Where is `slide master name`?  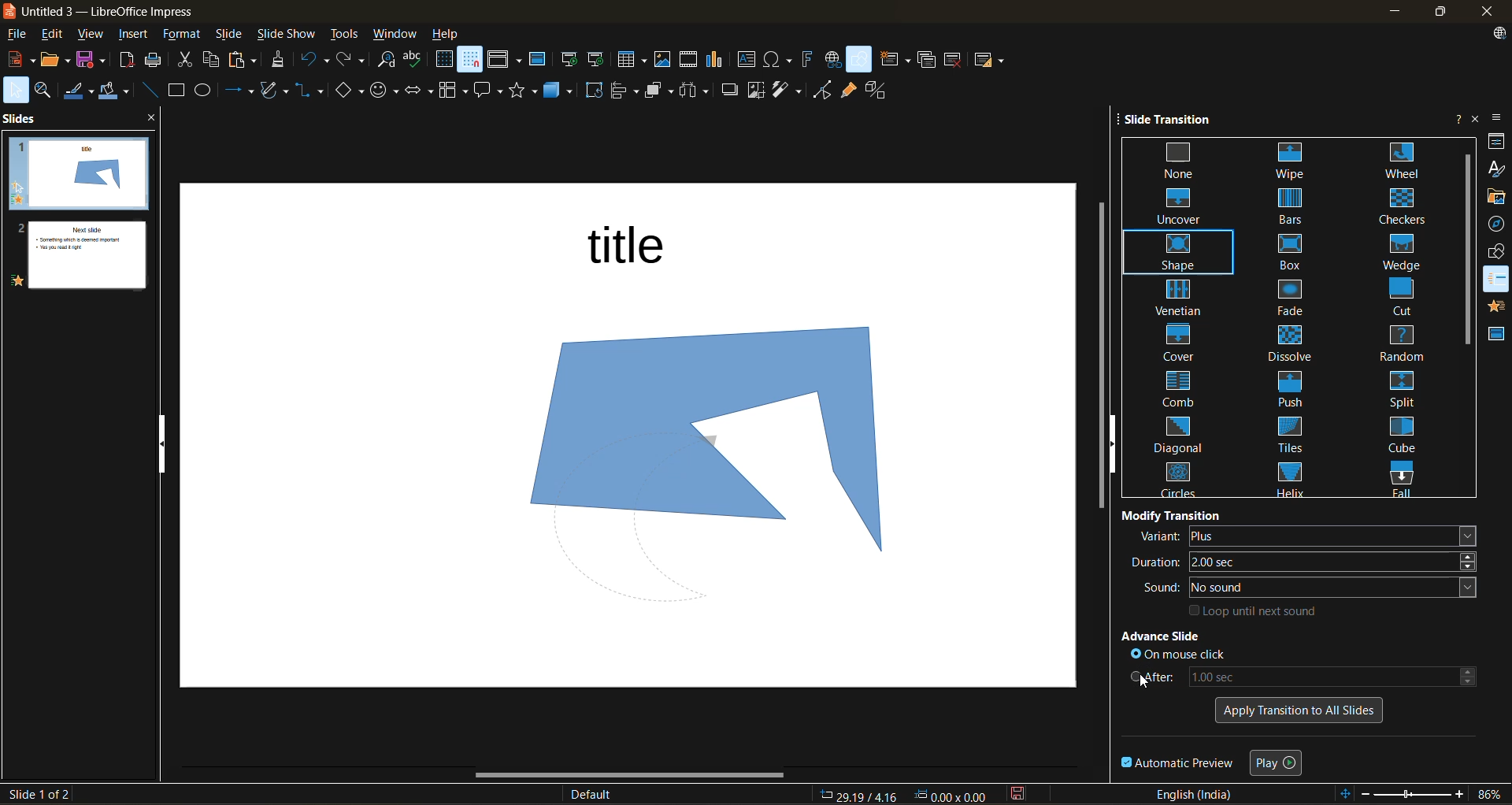
slide master name is located at coordinates (598, 793).